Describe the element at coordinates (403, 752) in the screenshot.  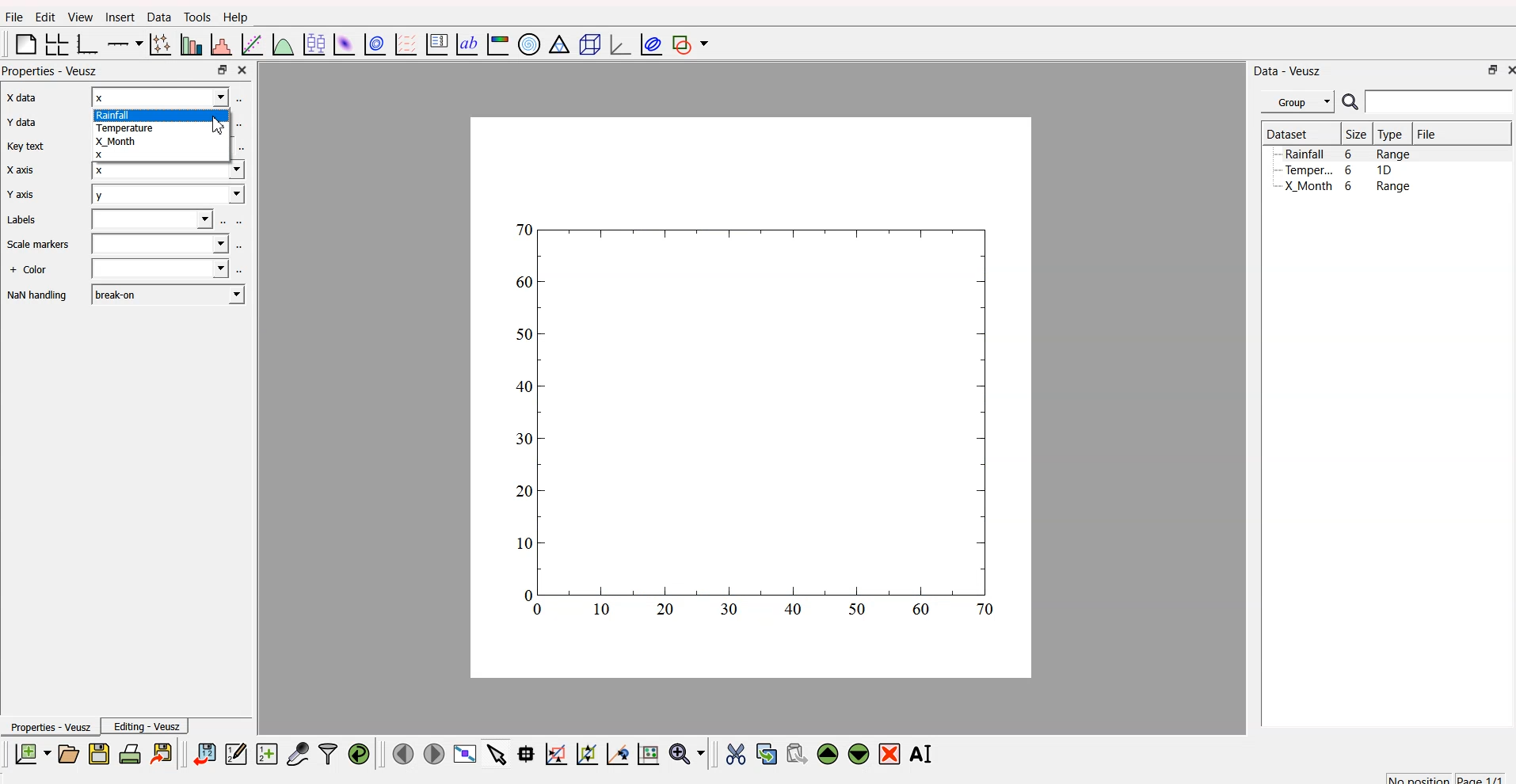
I see `move to previous page` at that location.